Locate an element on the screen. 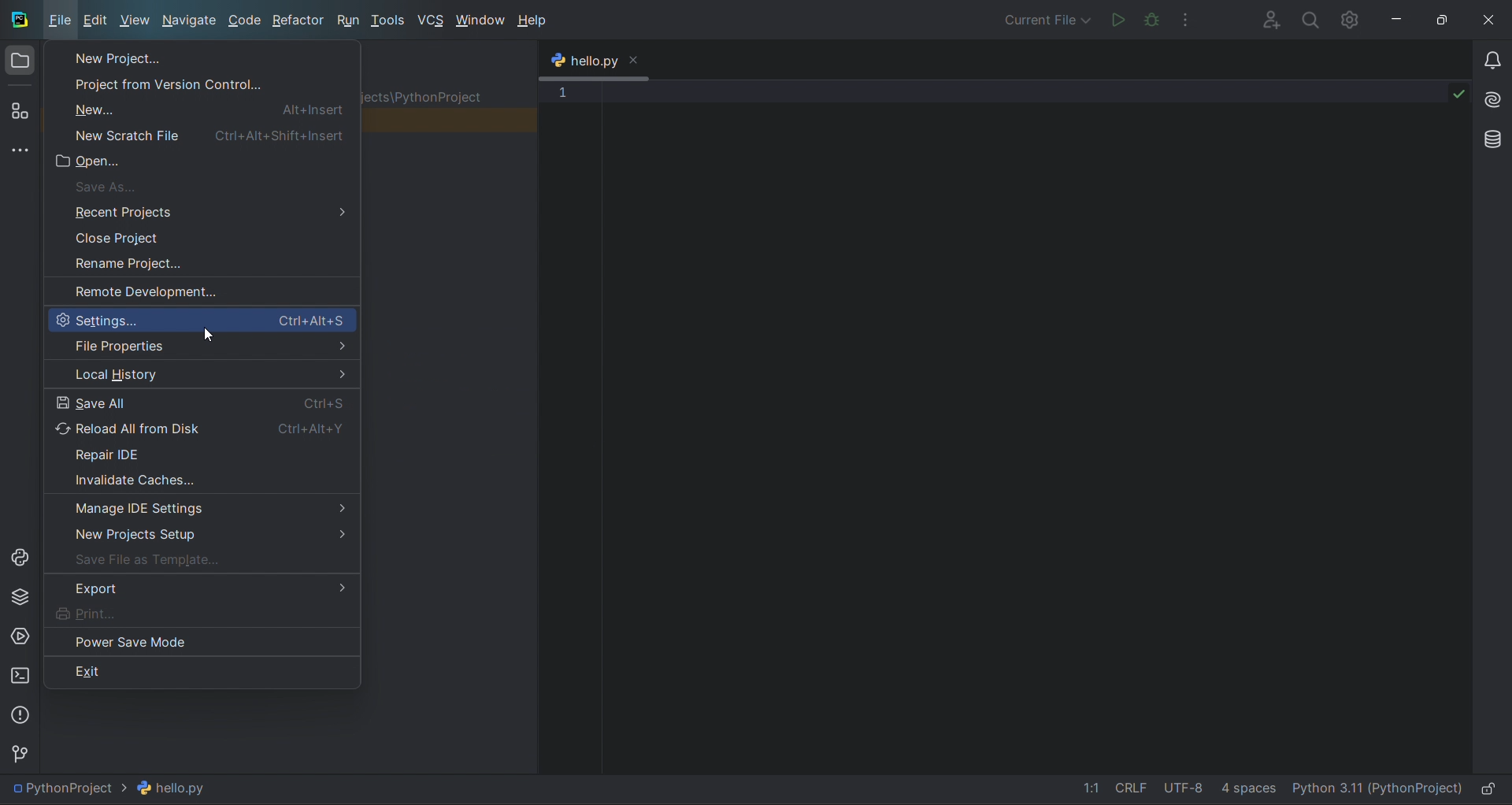 The height and width of the screenshot is (805, 1512). debug is located at coordinates (1153, 21).